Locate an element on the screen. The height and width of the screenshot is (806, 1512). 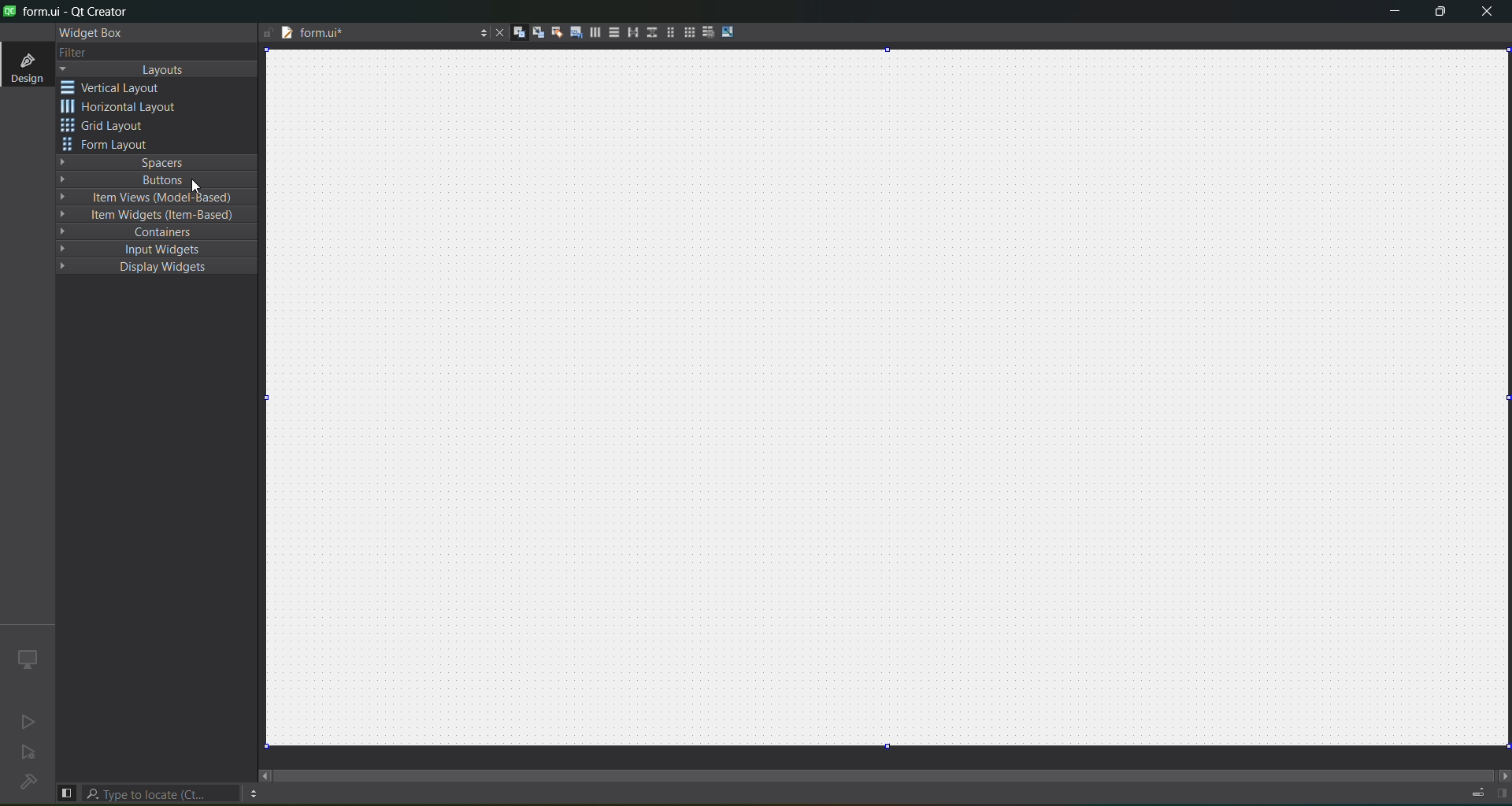
display widgets is located at coordinates (156, 270).